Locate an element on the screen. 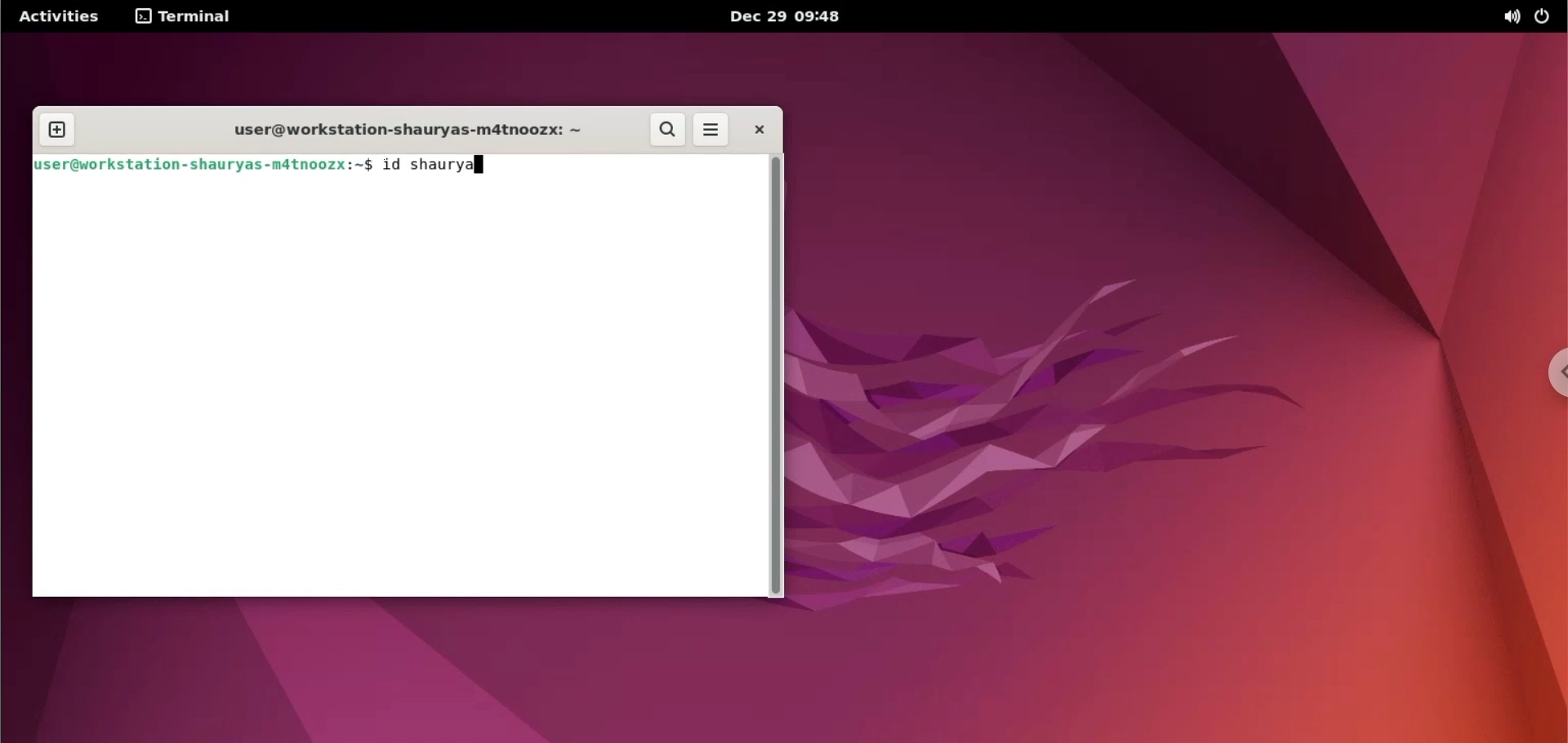  new tab is located at coordinates (56, 130).